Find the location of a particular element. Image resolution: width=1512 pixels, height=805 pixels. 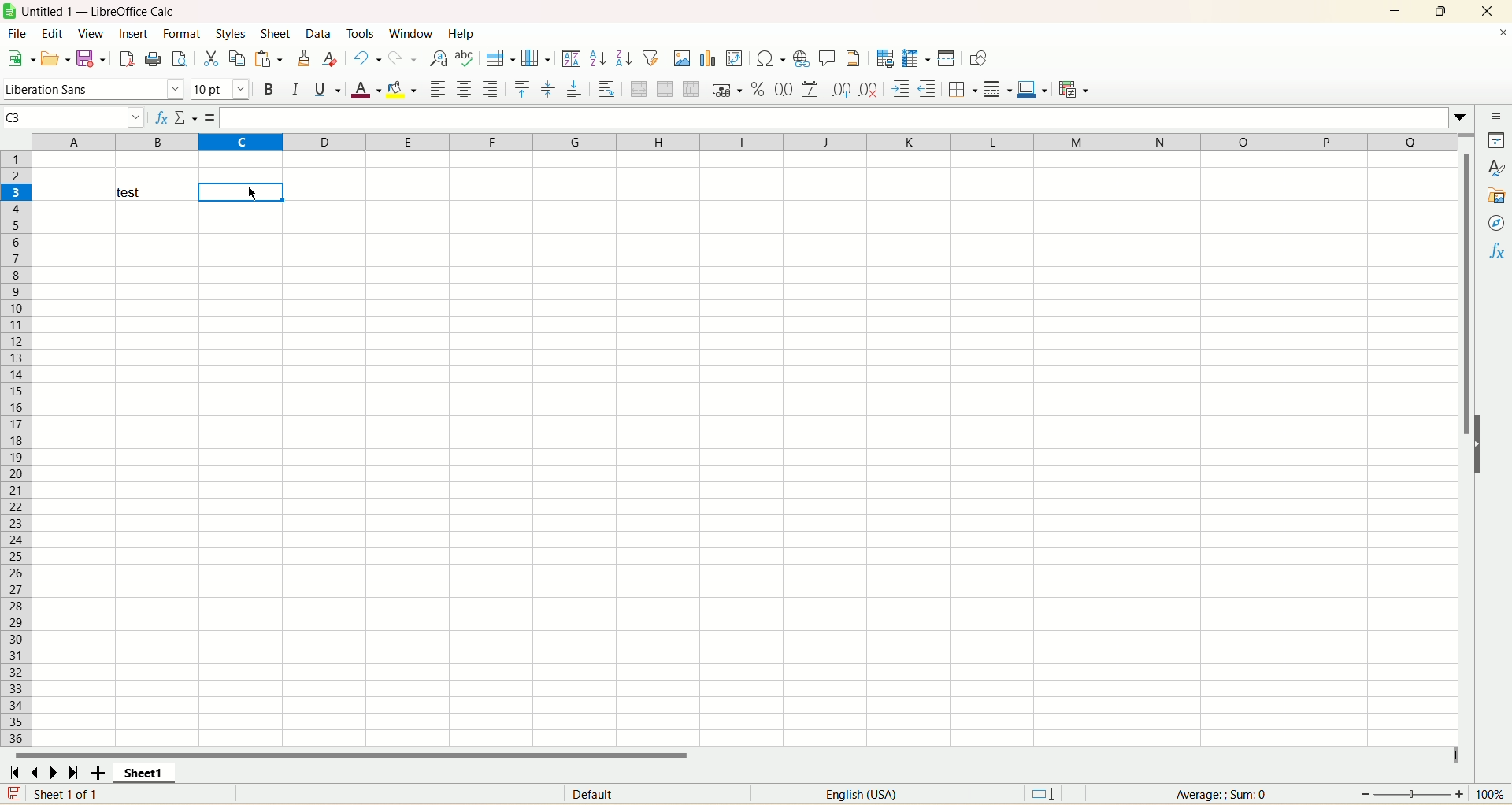

bold is located at coordinates (270, 89).